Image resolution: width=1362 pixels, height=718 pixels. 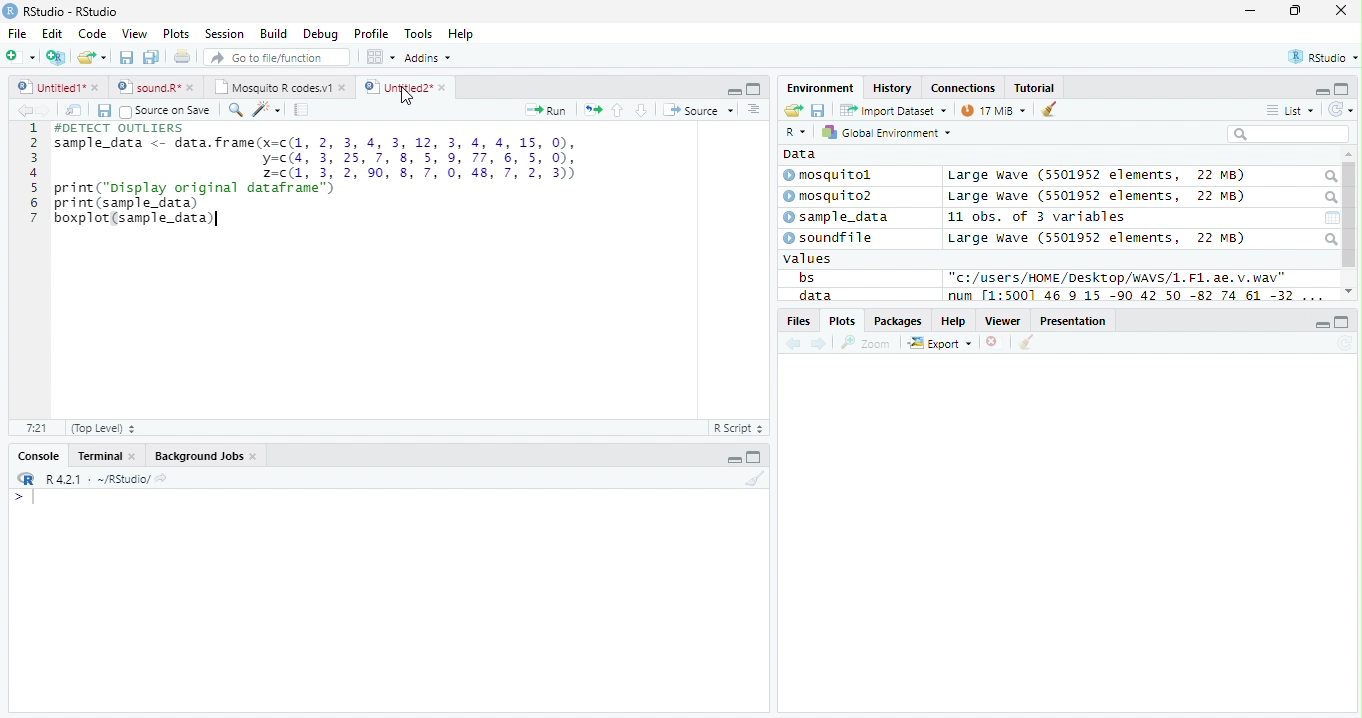 What do you see at coordinates (1350, 215) in the screenshot?
I see `scroll bar` at bounding box center [1350, 215].